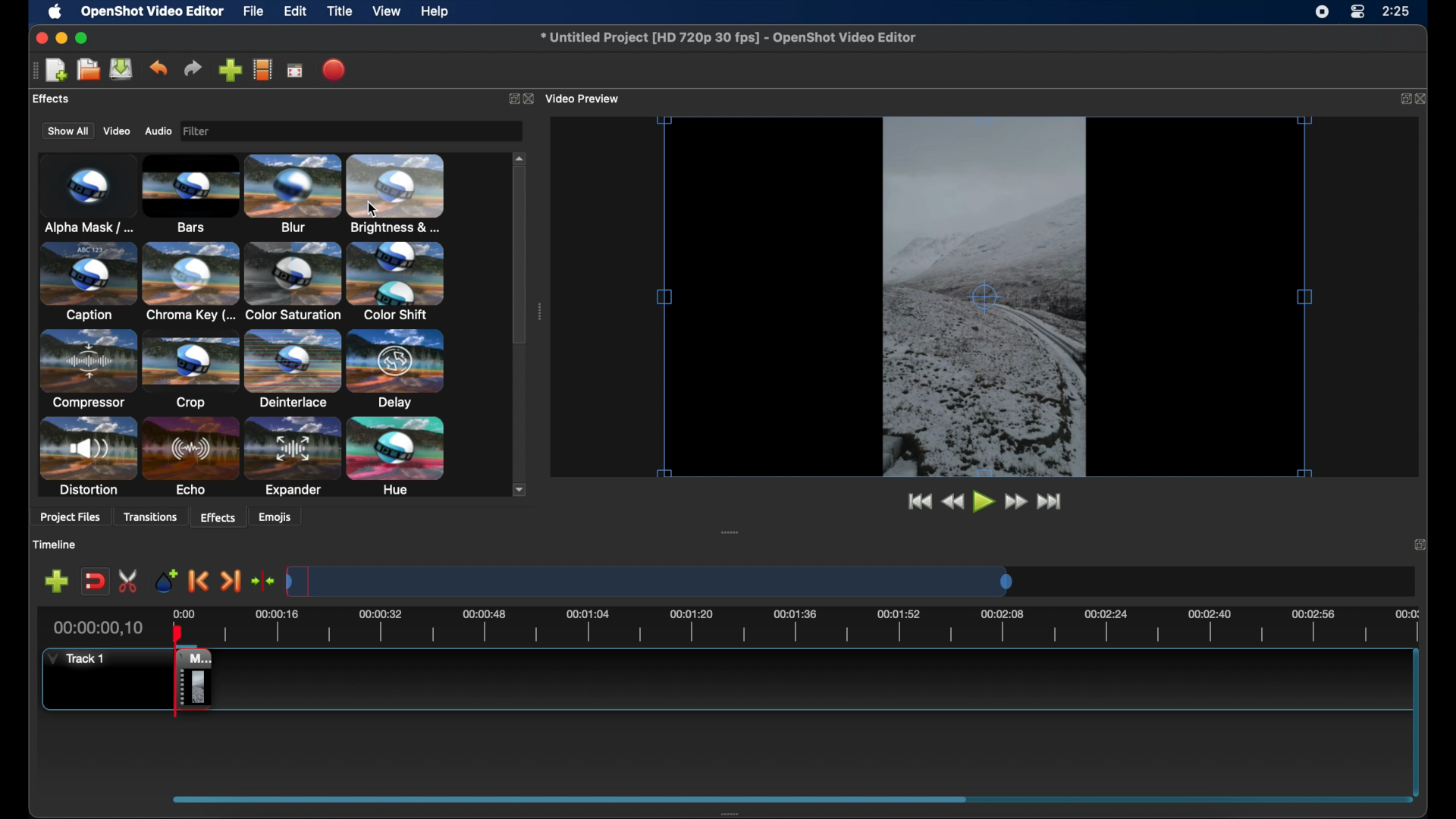 The width and height of the screenshot is (1456, 819). I want to click on transitions, so click(153, 516).